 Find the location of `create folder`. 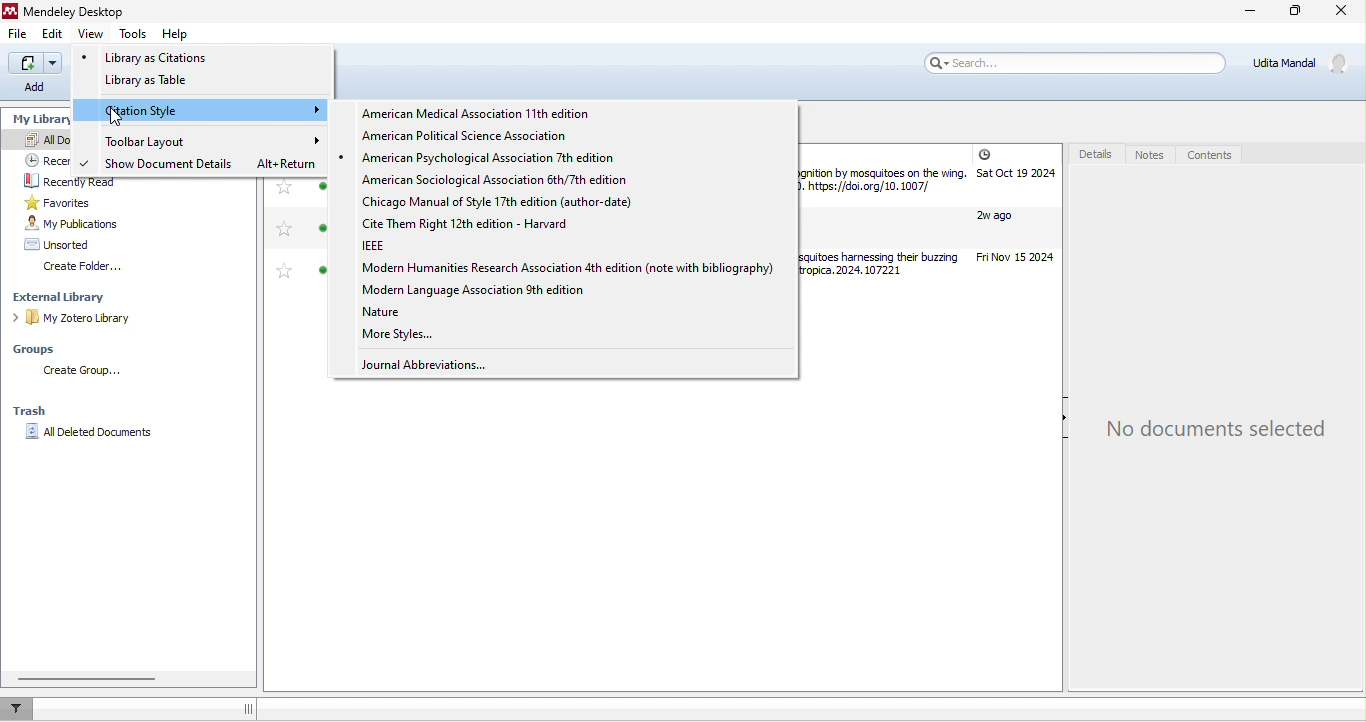

create folder is located at coordinates (85, 269).